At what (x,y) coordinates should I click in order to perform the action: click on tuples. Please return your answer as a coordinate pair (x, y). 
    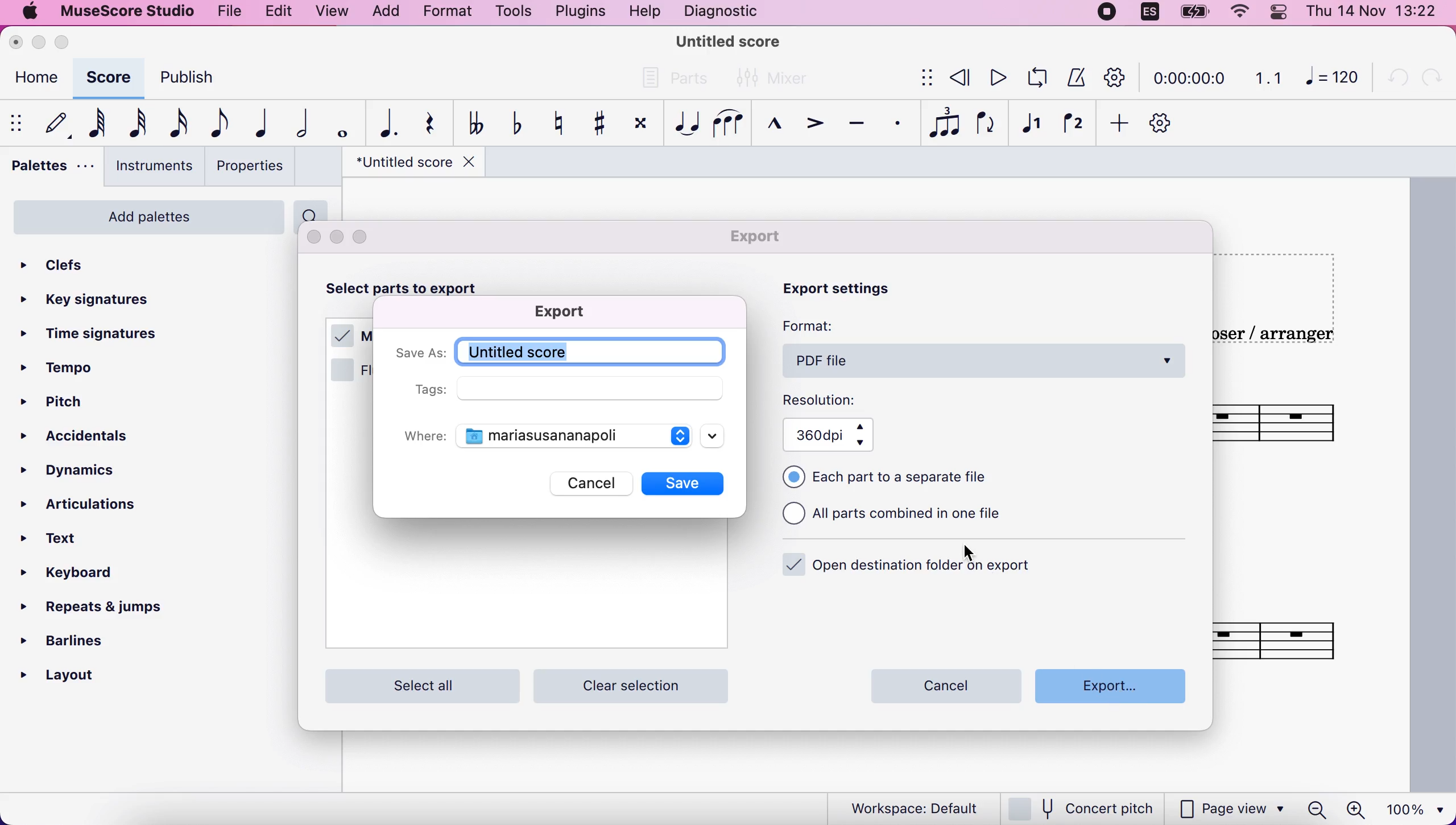
    Looking at the image, I should click on (941, 124).